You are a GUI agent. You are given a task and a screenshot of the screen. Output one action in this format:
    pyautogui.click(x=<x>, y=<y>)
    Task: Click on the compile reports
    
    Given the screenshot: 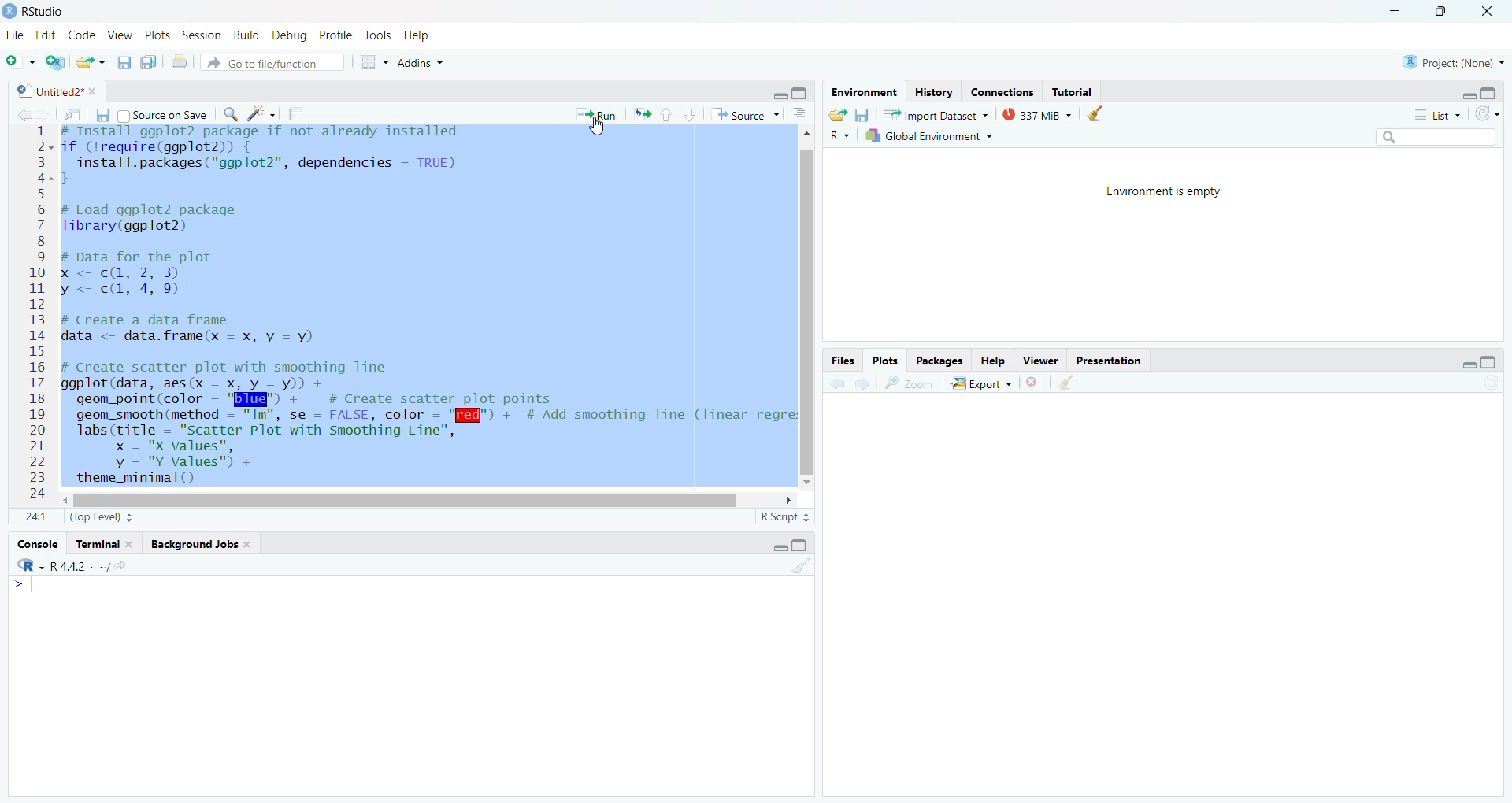 What is the action you would take?
    pyautogui.click(x=298, y=116)
    